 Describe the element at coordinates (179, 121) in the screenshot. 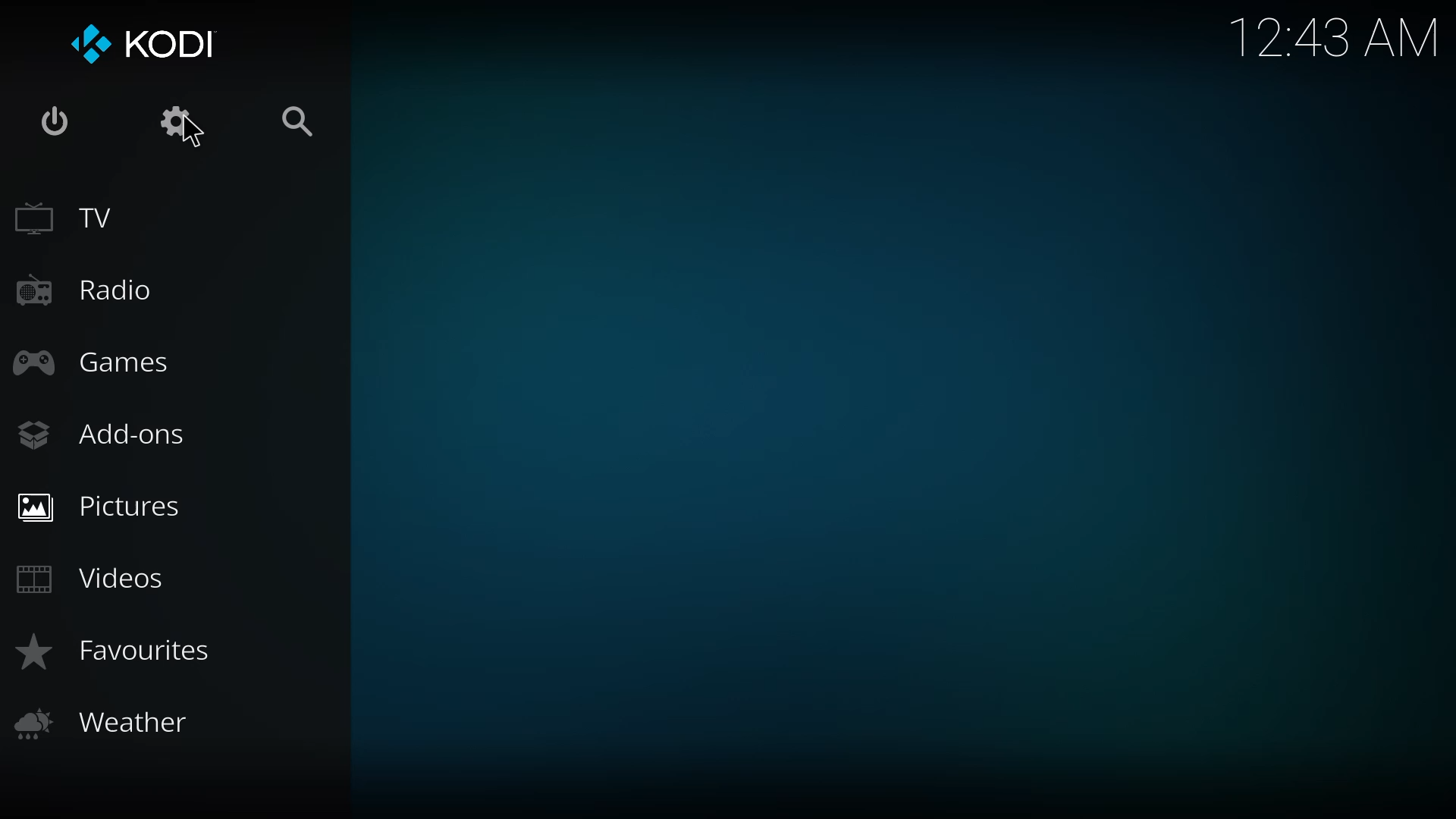

I see `settings` at that location.